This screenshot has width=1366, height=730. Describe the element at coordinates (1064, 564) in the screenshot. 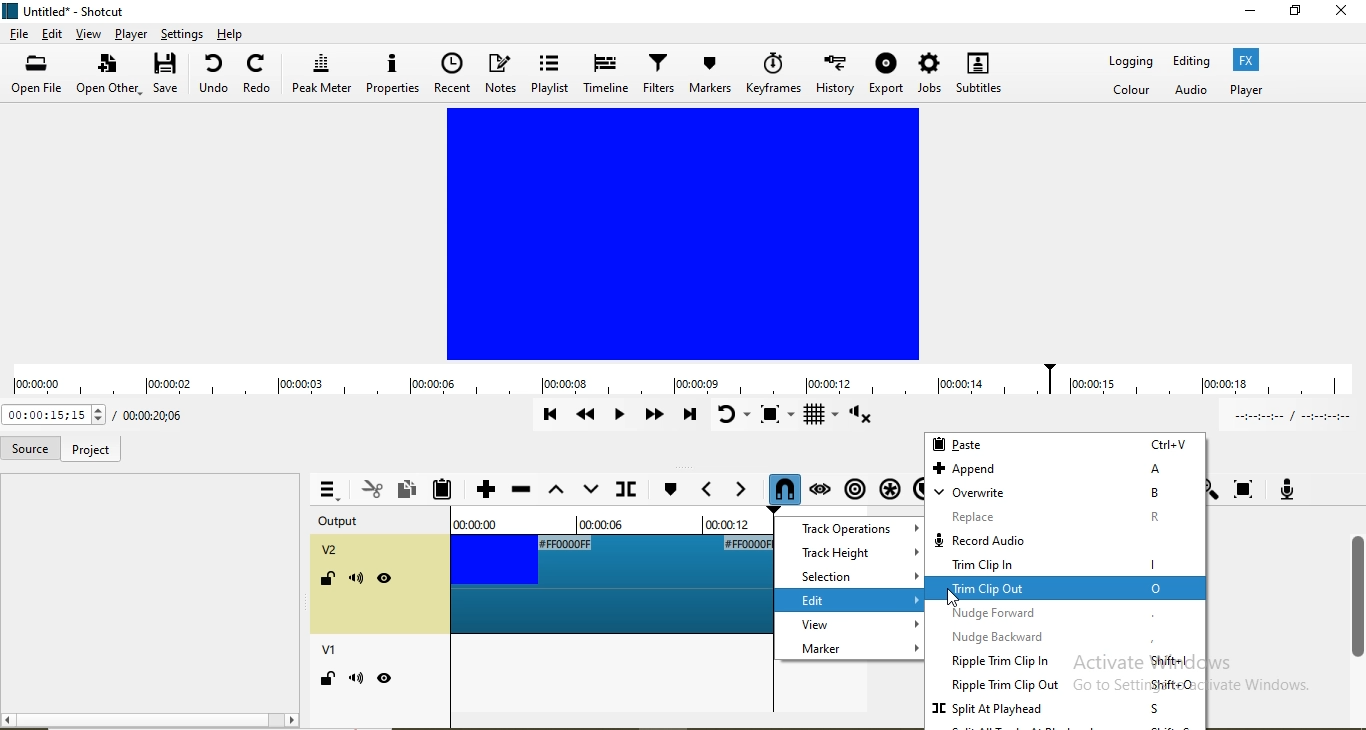

I see `trim clip in` at that location.